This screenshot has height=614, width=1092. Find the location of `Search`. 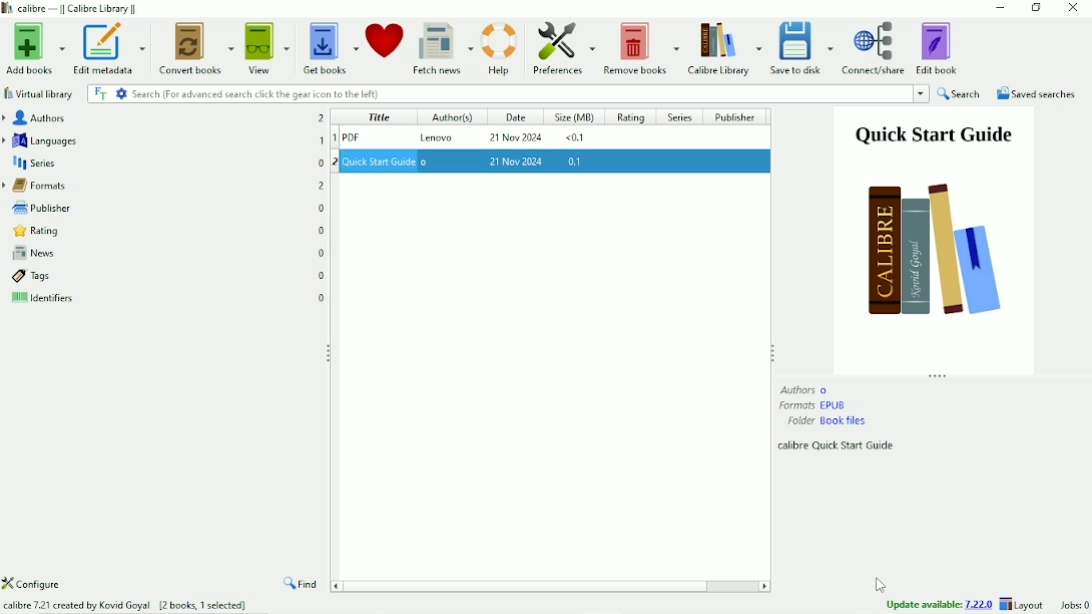

Search is located at coordinates (960, 94).